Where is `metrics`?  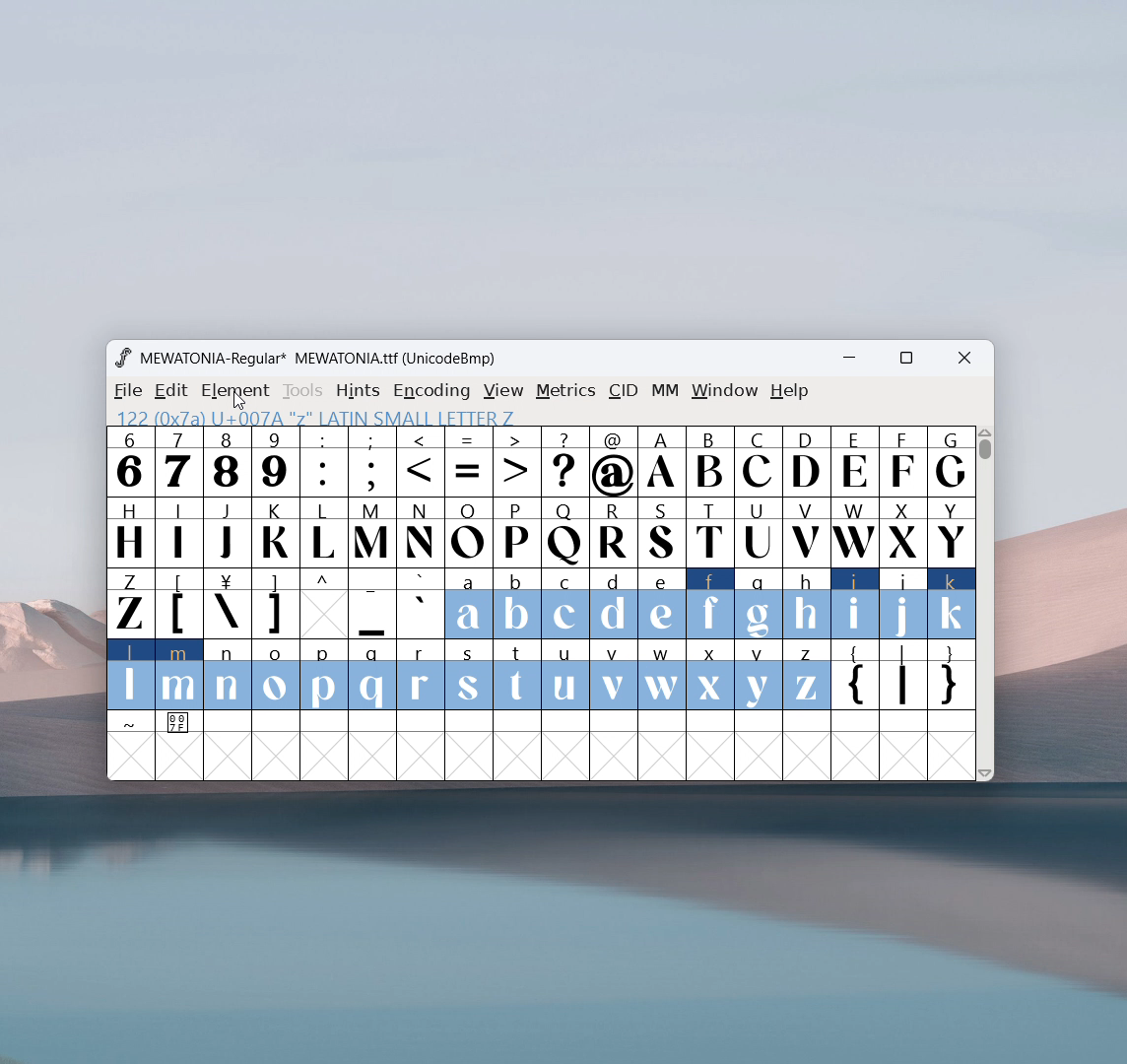 metrics is located at coordinates (565, 391).